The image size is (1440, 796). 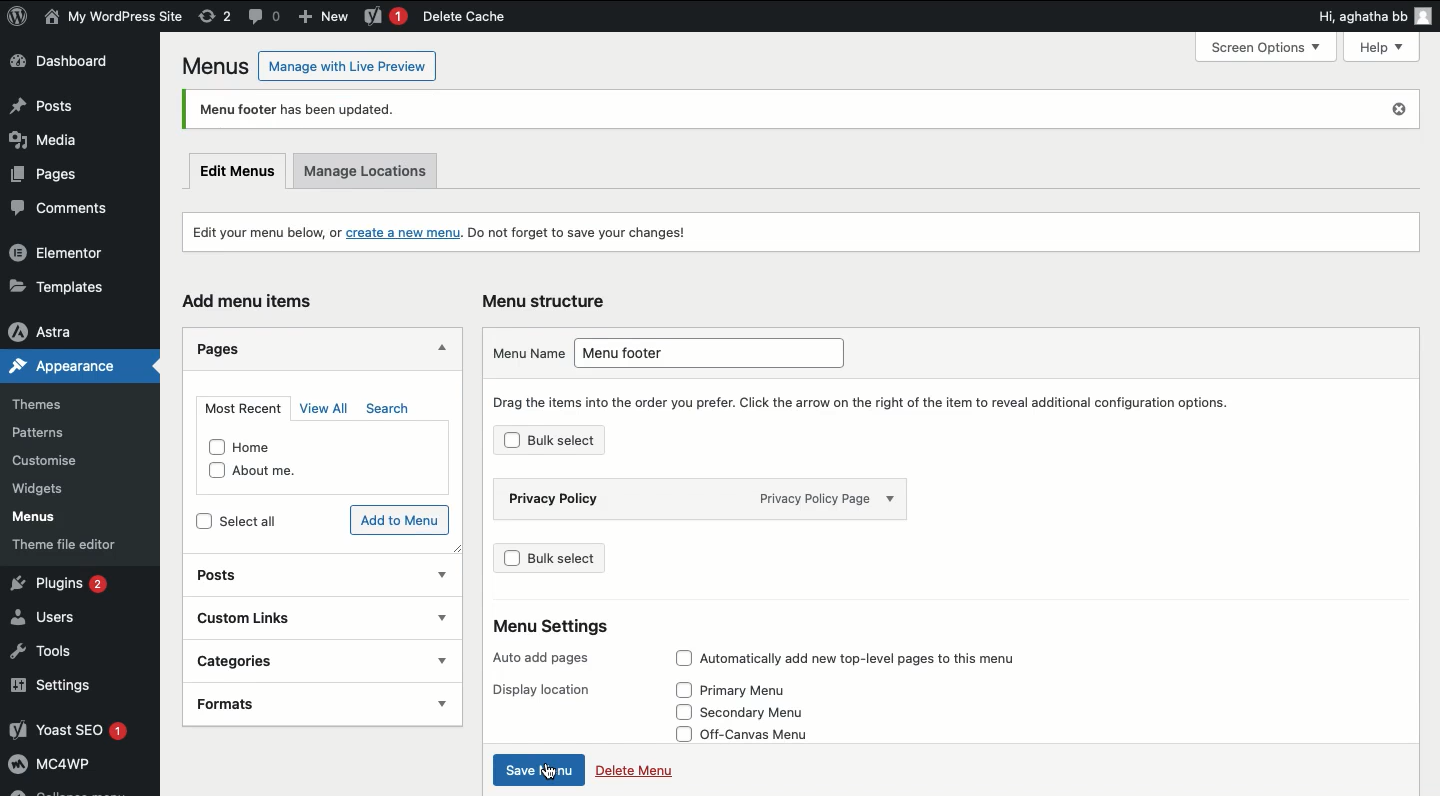 What do you see at coordinates (679, 712) in the screenshot?
I see `checkbox` at bounding box center [679, 712].